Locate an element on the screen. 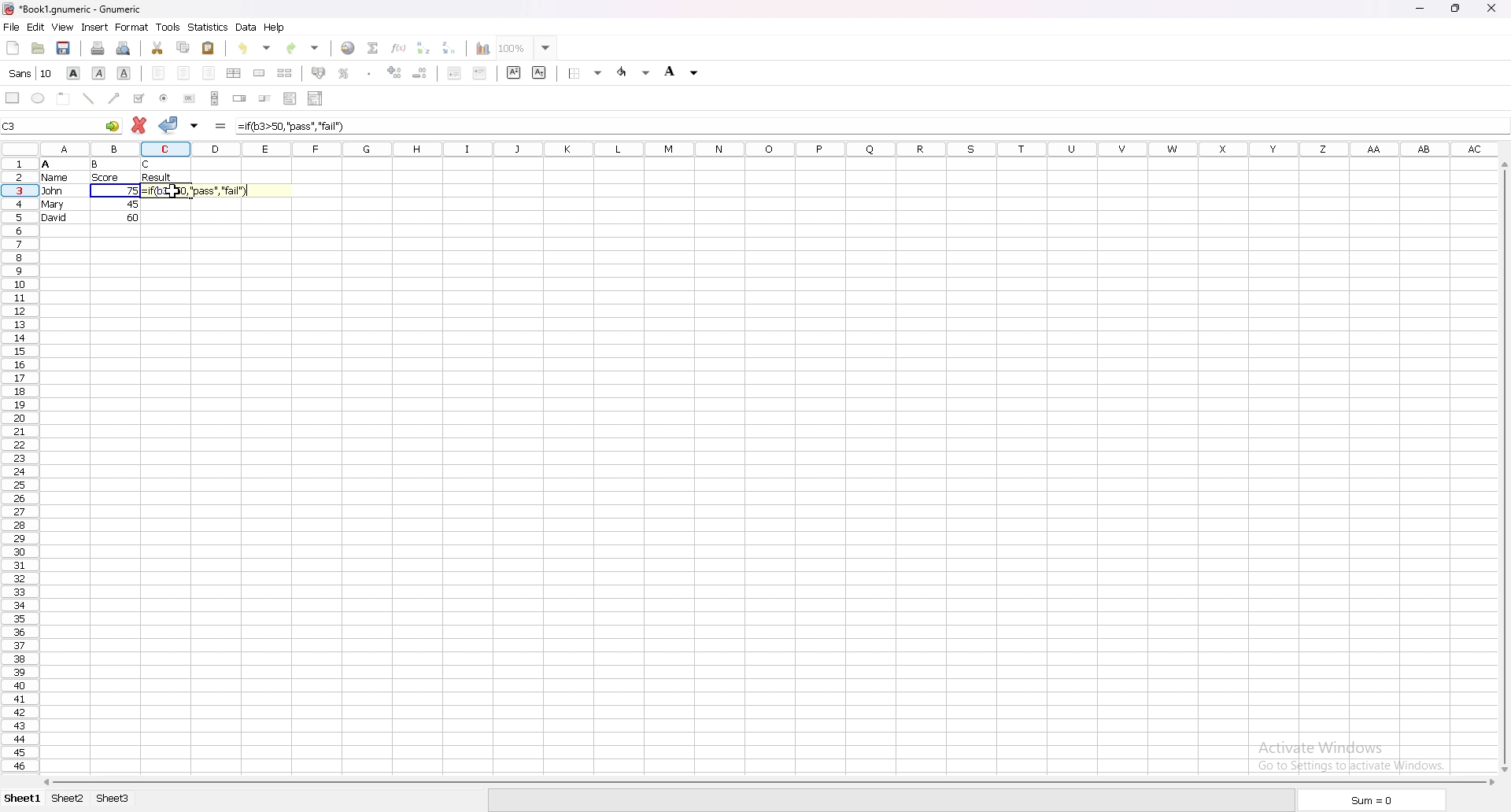  b is located at coordinates (95, 164).